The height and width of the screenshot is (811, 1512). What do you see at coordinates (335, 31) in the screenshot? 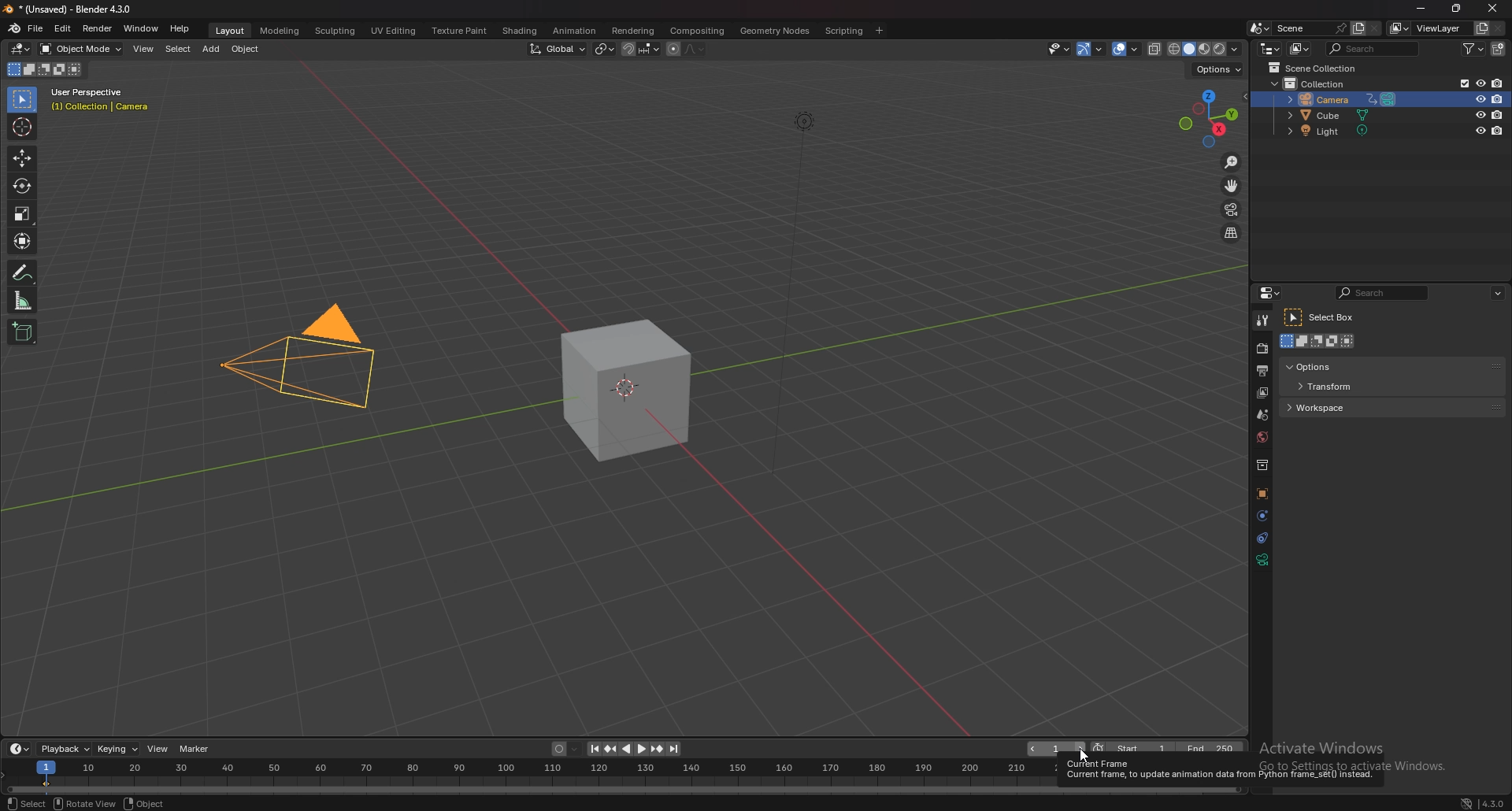
I see `sculpting` at bounding box center [335, 31].